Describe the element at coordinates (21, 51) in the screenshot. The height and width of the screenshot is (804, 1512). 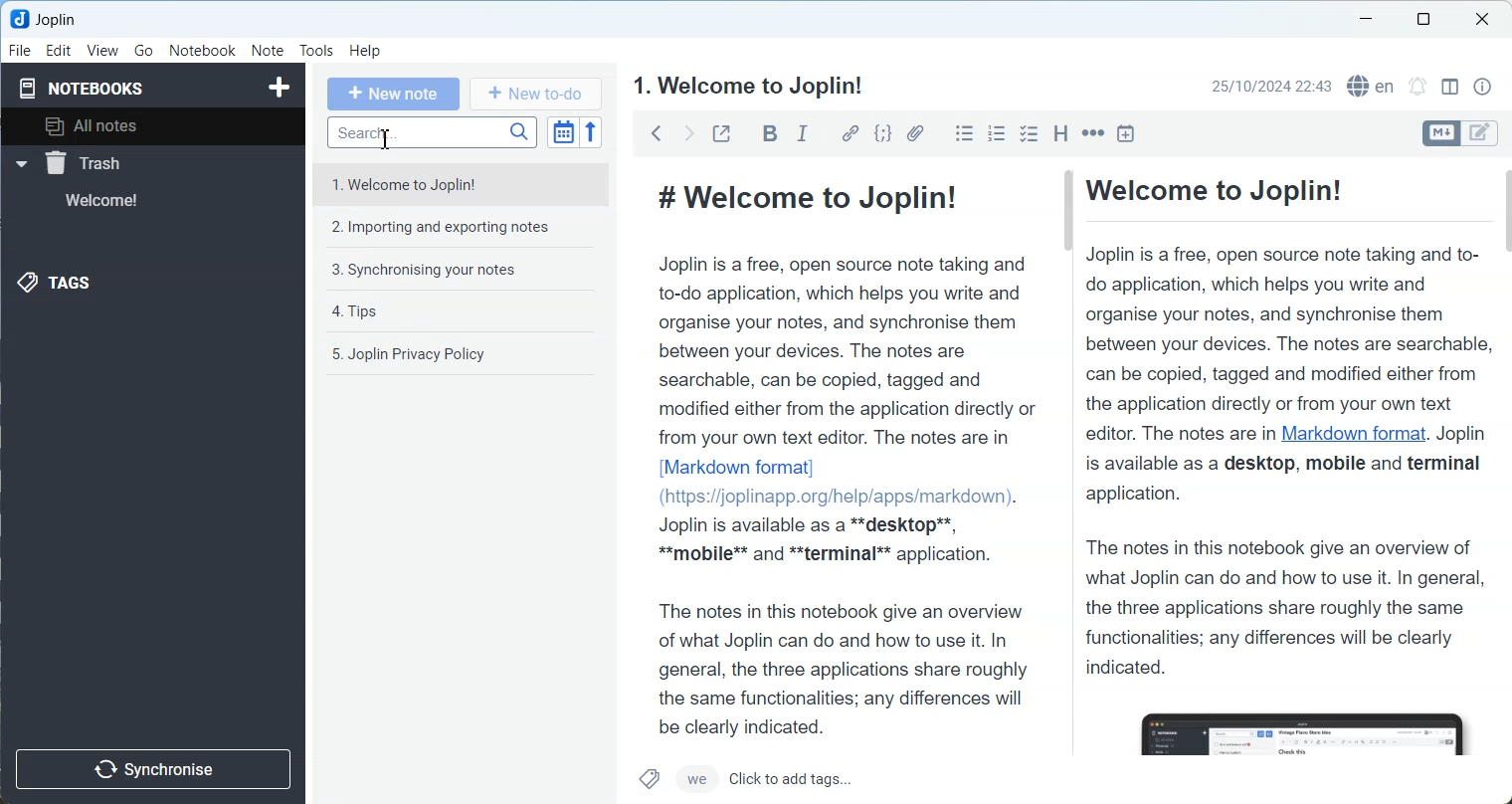
I see `File` at that location.